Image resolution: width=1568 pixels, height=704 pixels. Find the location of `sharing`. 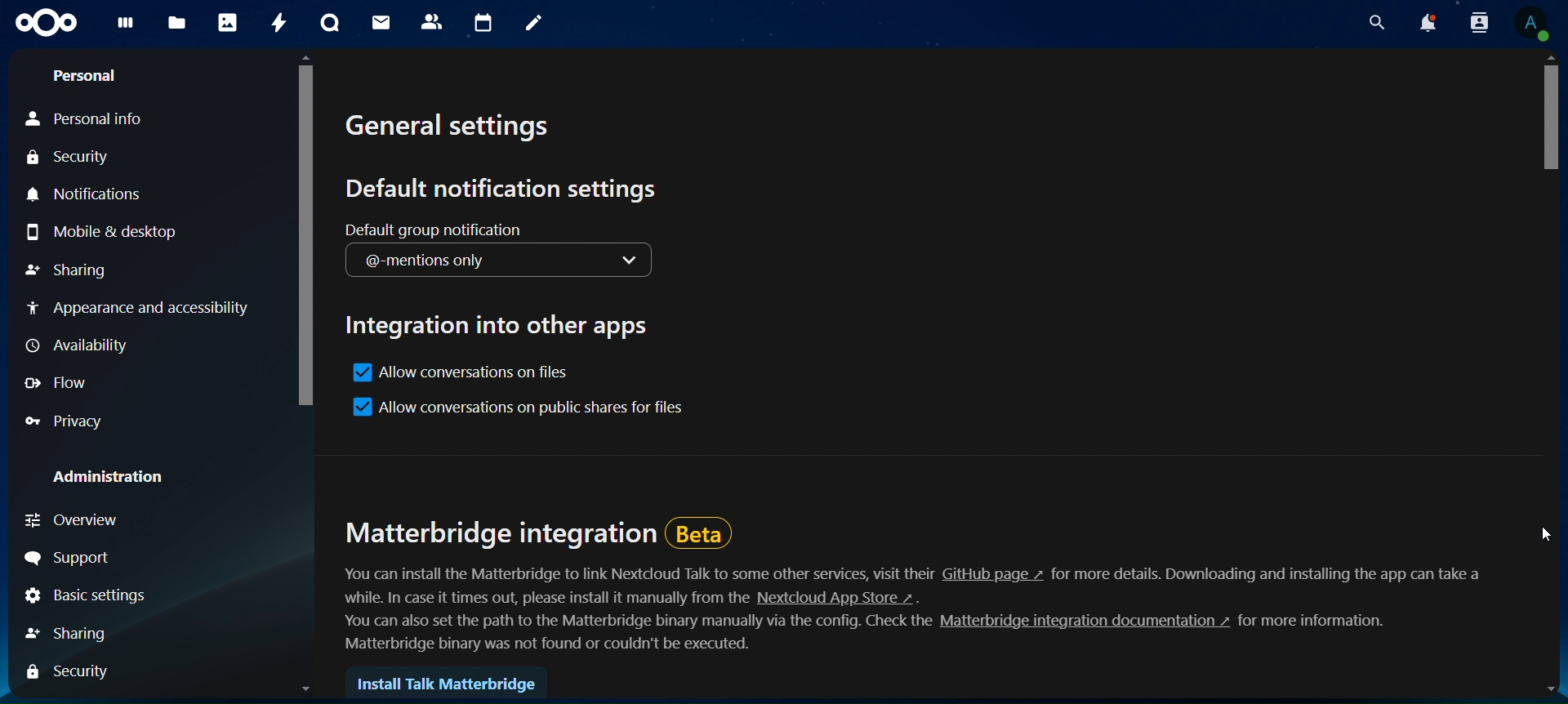

sharing is located at coordinates (69, 274).